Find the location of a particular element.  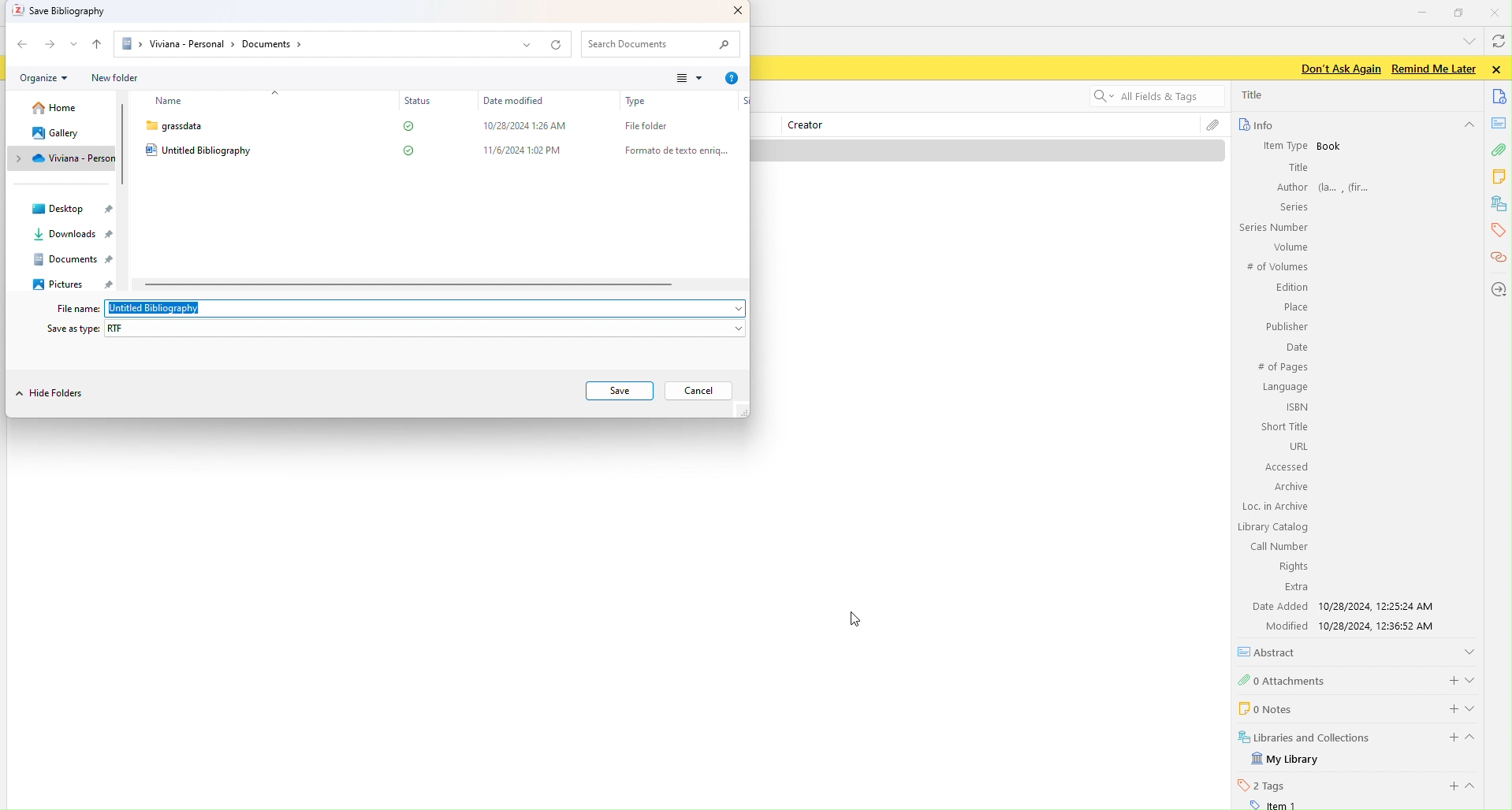

Hide Folders is located at coordinates (53, 396).